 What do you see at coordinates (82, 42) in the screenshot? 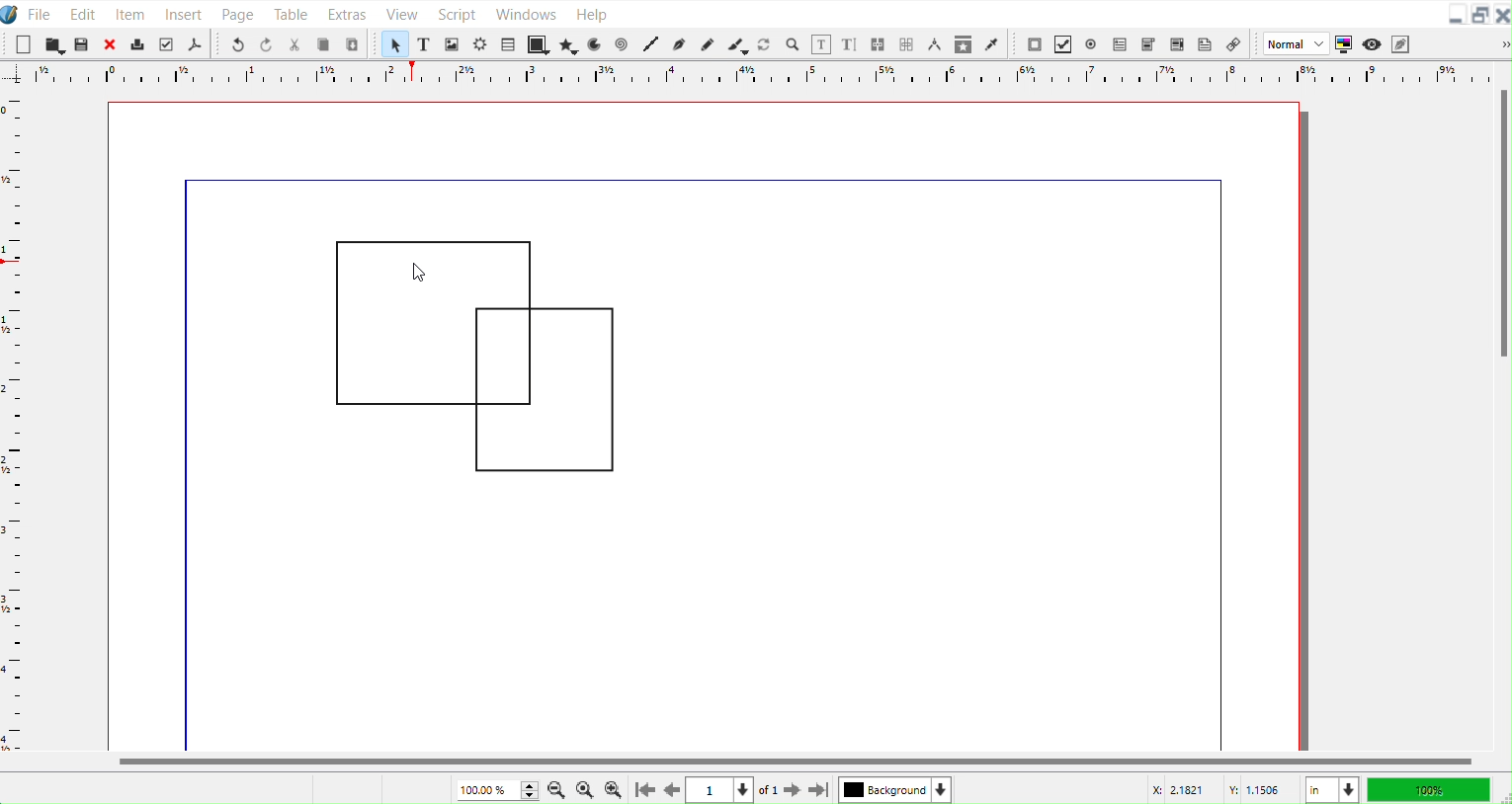
I see `Save` at bounding box center [82, 42].